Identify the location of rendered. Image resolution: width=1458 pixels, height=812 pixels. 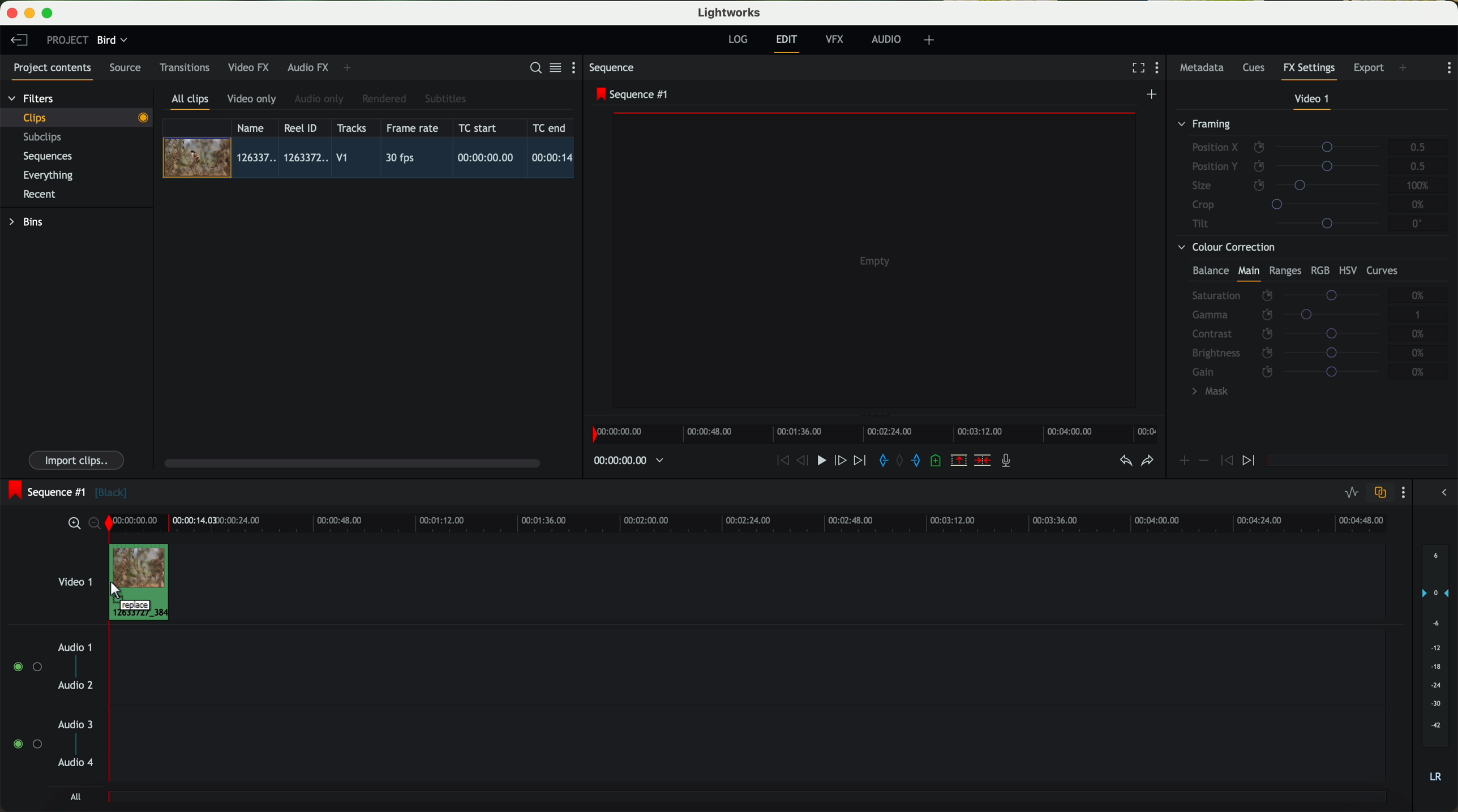
(385, 100).